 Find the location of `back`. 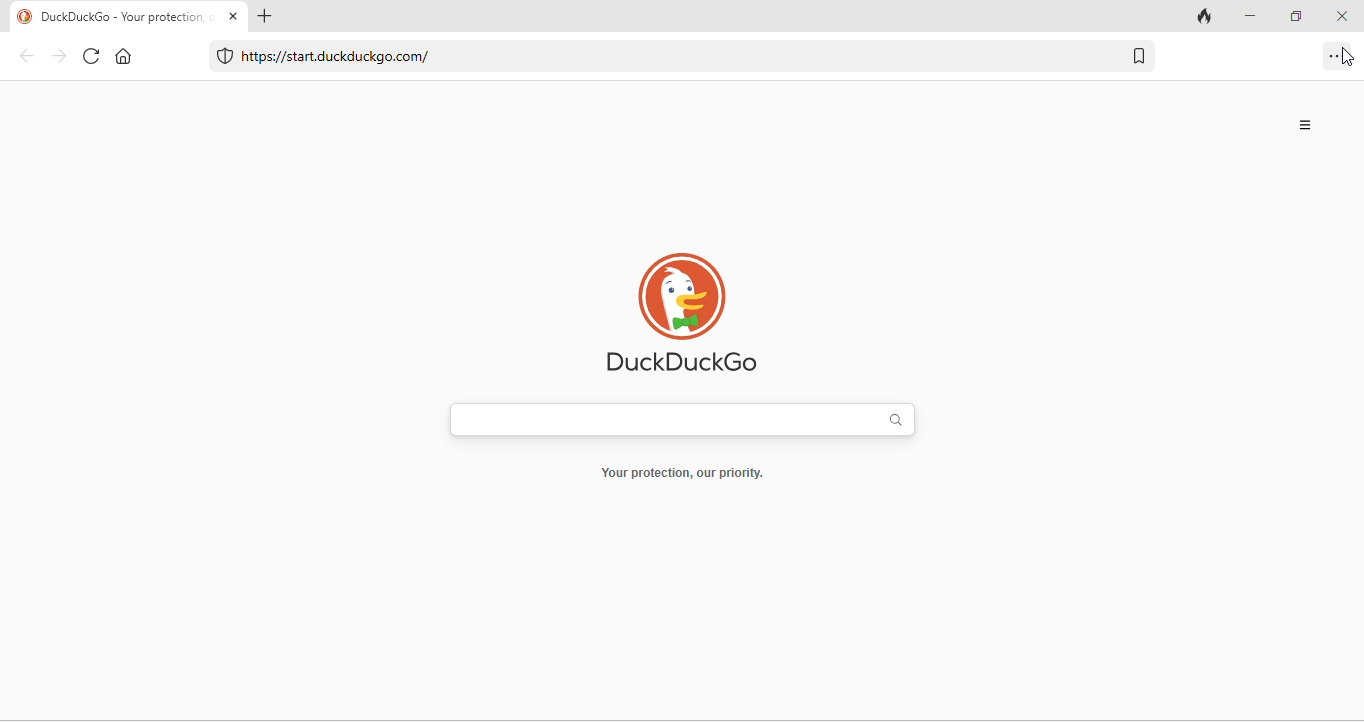

back is located at coordinates (25, 56).